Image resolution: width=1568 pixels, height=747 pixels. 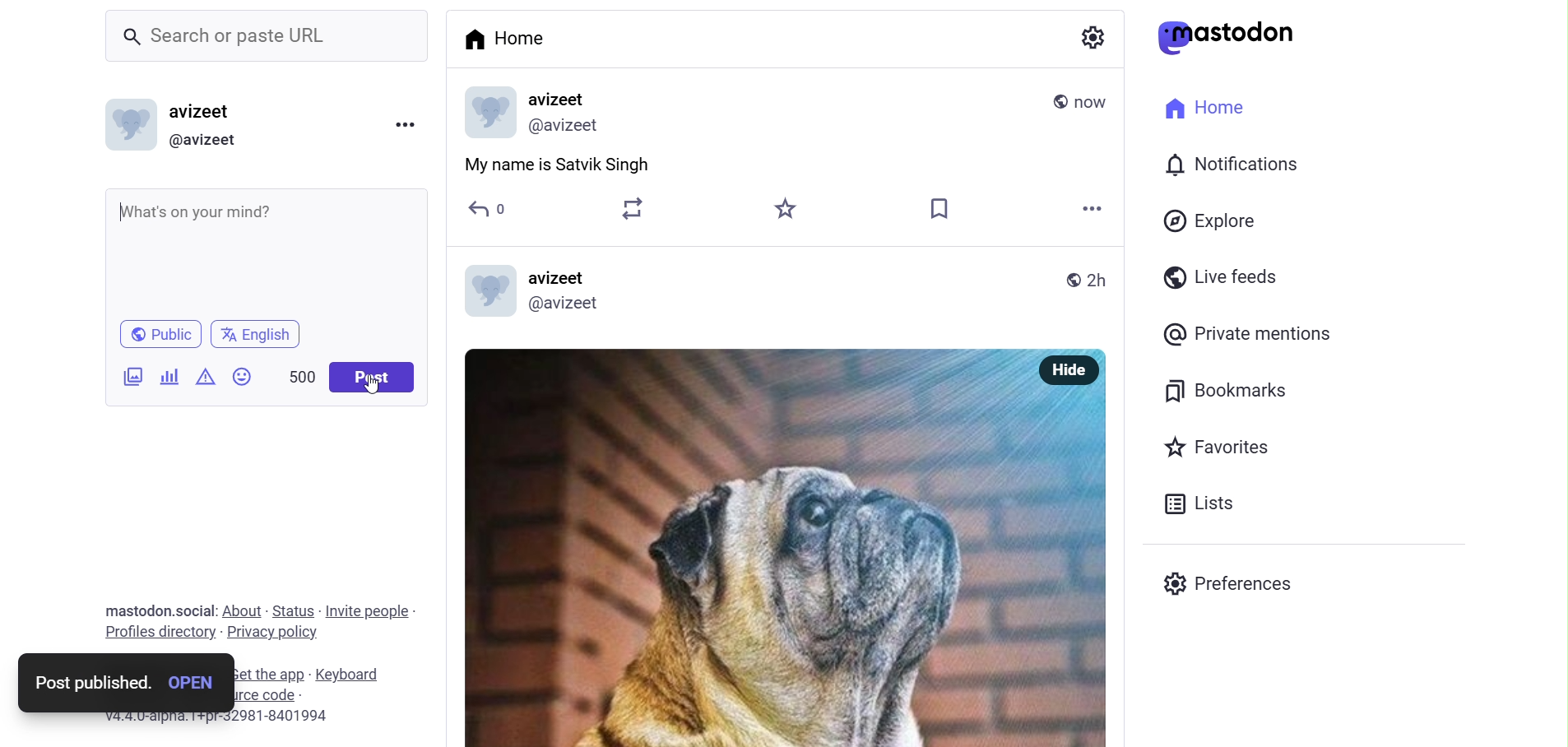 I want to click on Private mentions, so click(x=1269, y=336).